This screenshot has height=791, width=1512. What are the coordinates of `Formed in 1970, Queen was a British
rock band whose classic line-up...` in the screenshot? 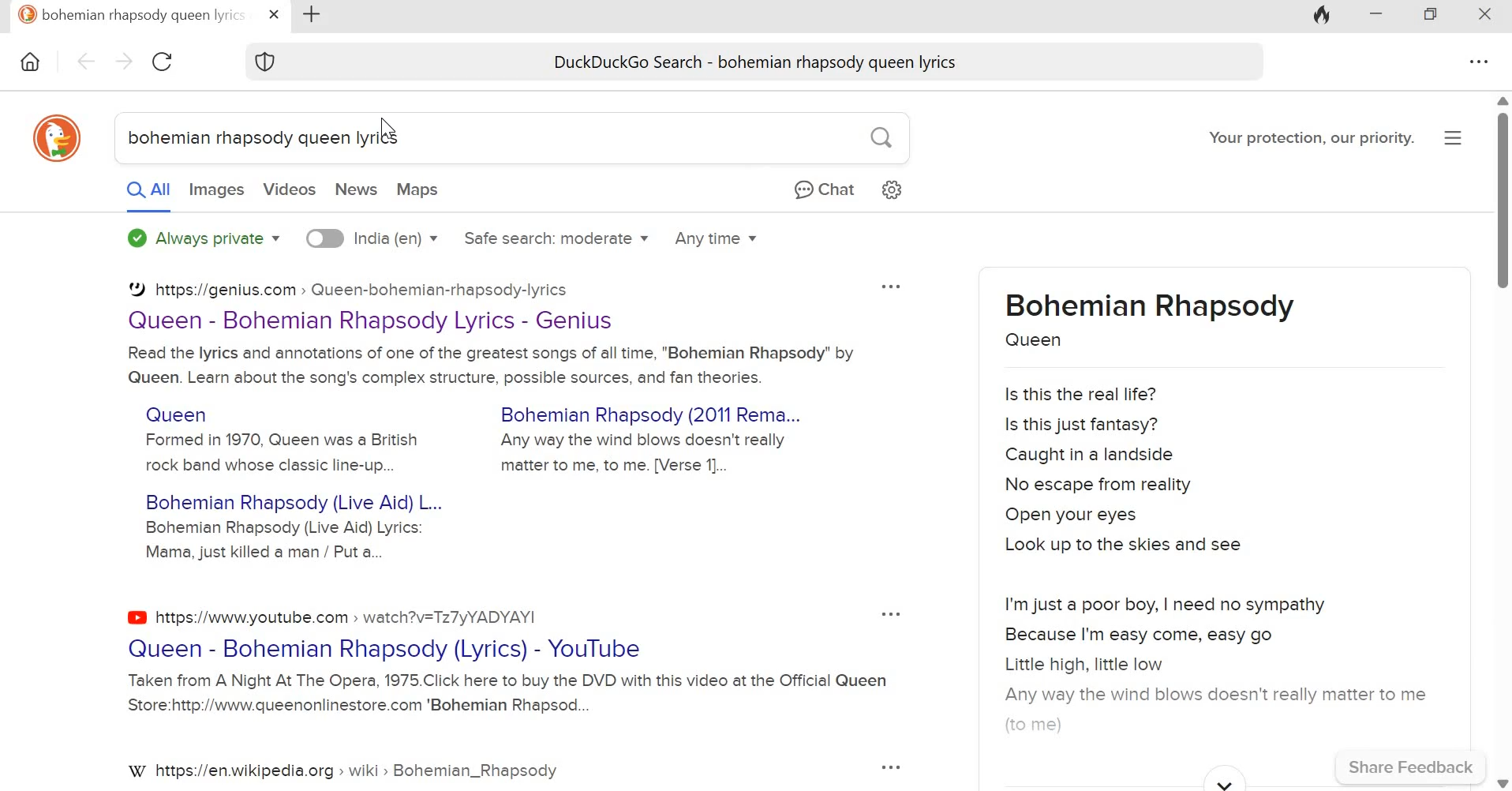 It's located at (287, 454).